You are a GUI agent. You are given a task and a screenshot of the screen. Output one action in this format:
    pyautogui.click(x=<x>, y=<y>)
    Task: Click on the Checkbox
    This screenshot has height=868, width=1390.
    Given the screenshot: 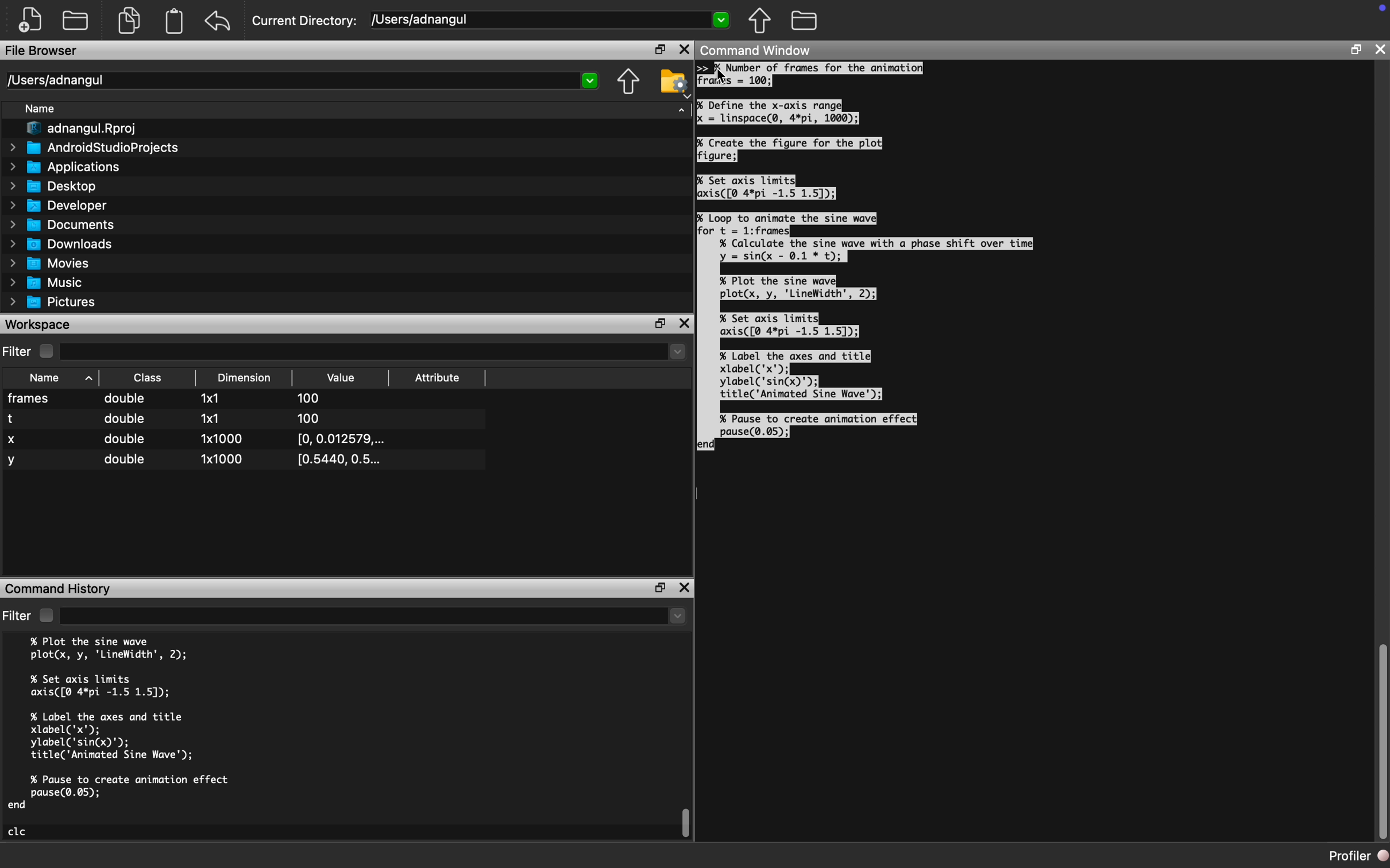 What is the action you would take?
    pyautogui.click(x=45, y=615)
    